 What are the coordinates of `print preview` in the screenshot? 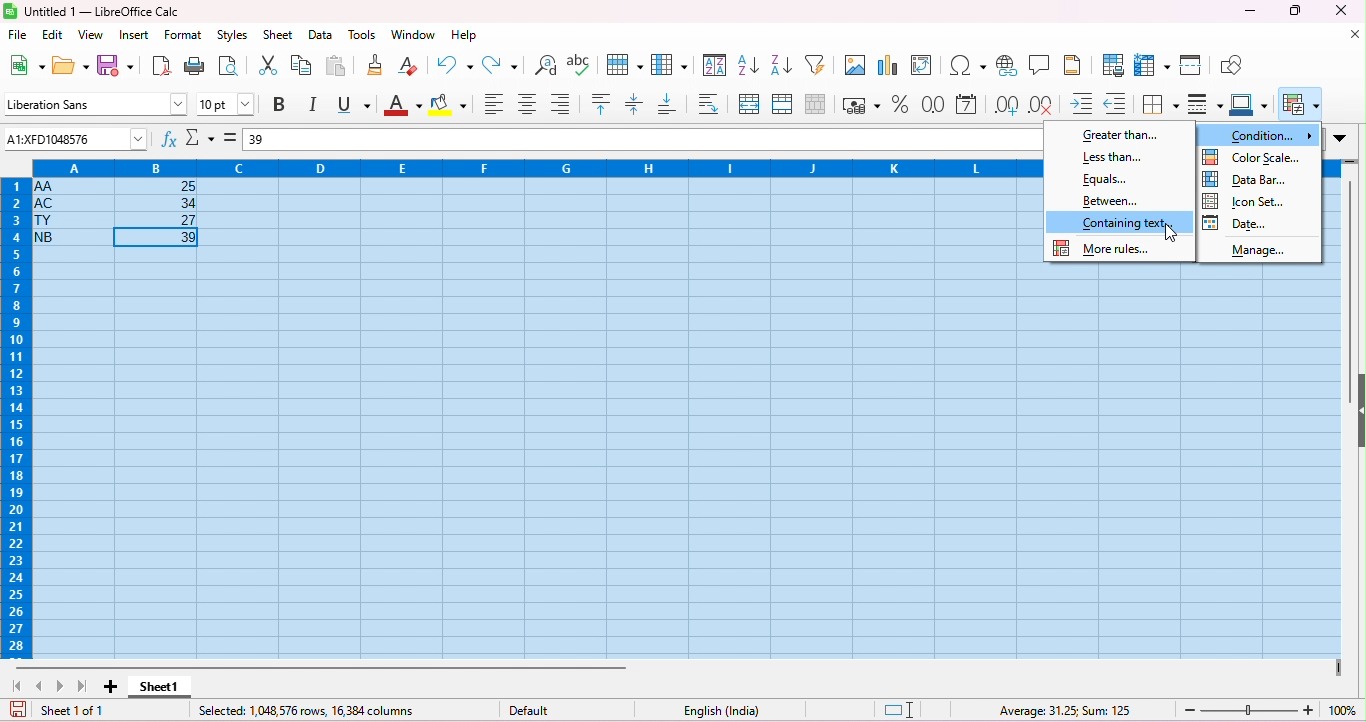 It's located at (230, 66).